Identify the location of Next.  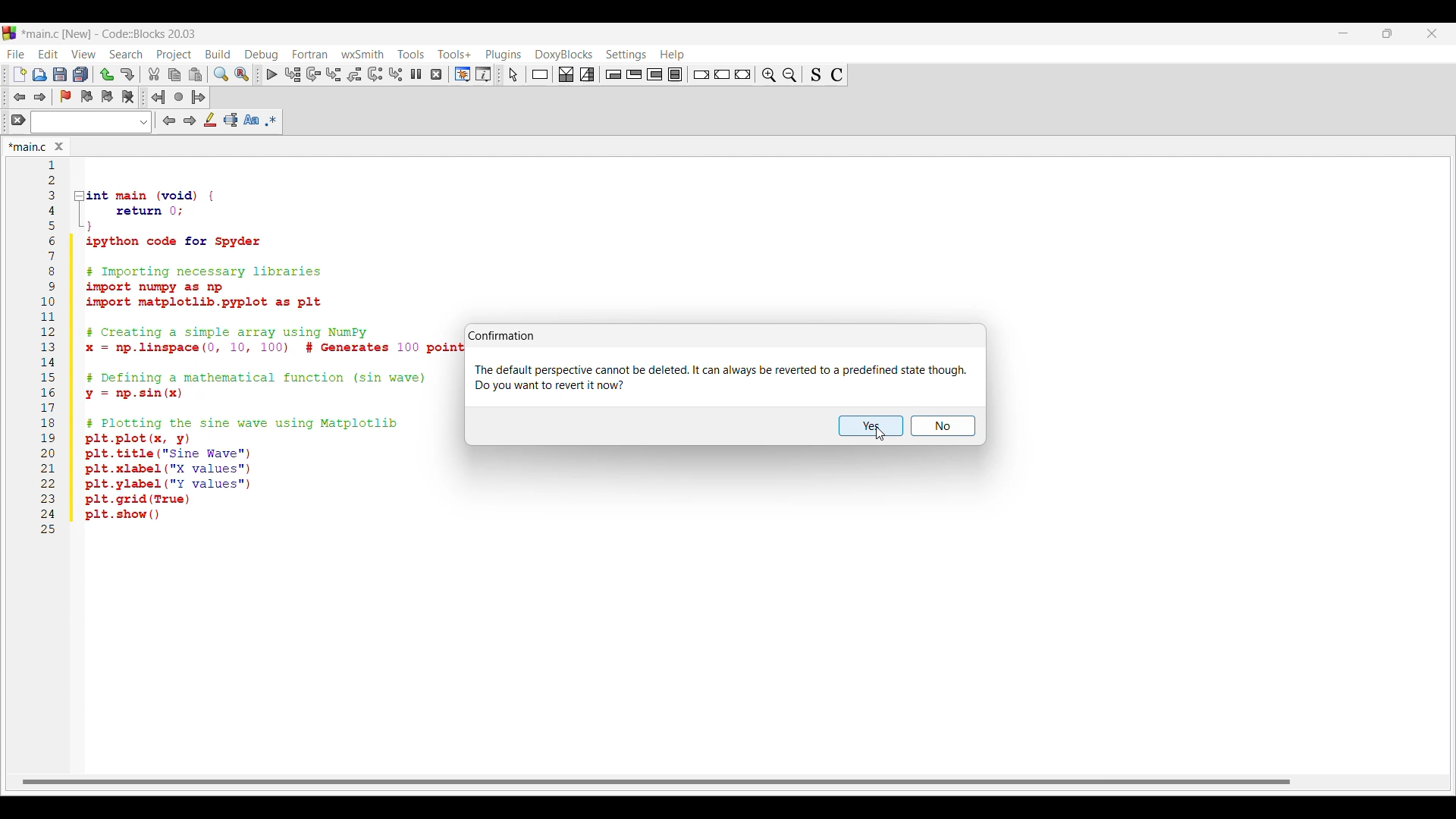
(190, 121).